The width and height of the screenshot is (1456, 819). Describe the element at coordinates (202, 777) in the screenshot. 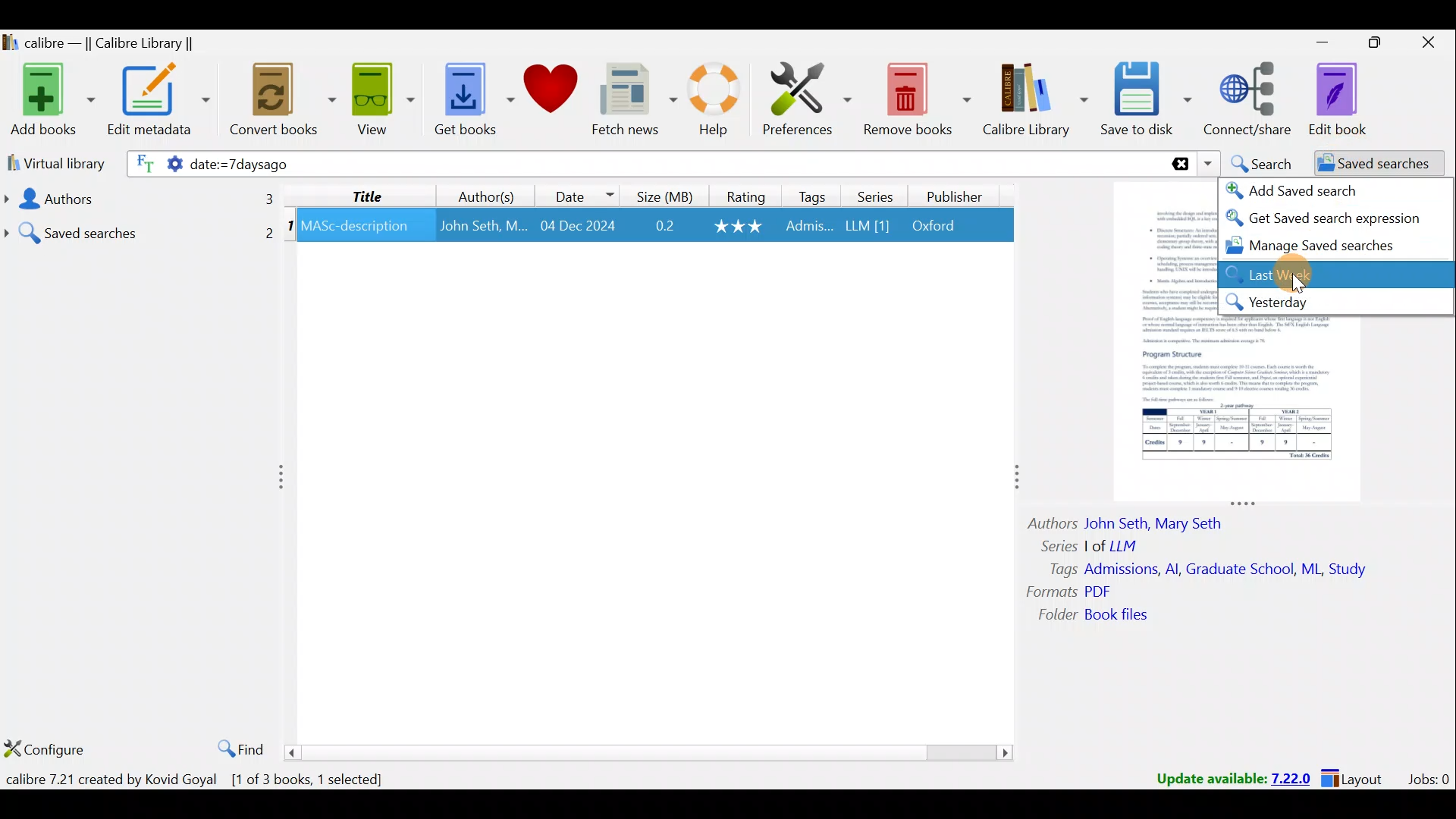

I see `calibre 7.21 created by Kovid Goyal [1 of 3 books, 1 selected]` at that location.